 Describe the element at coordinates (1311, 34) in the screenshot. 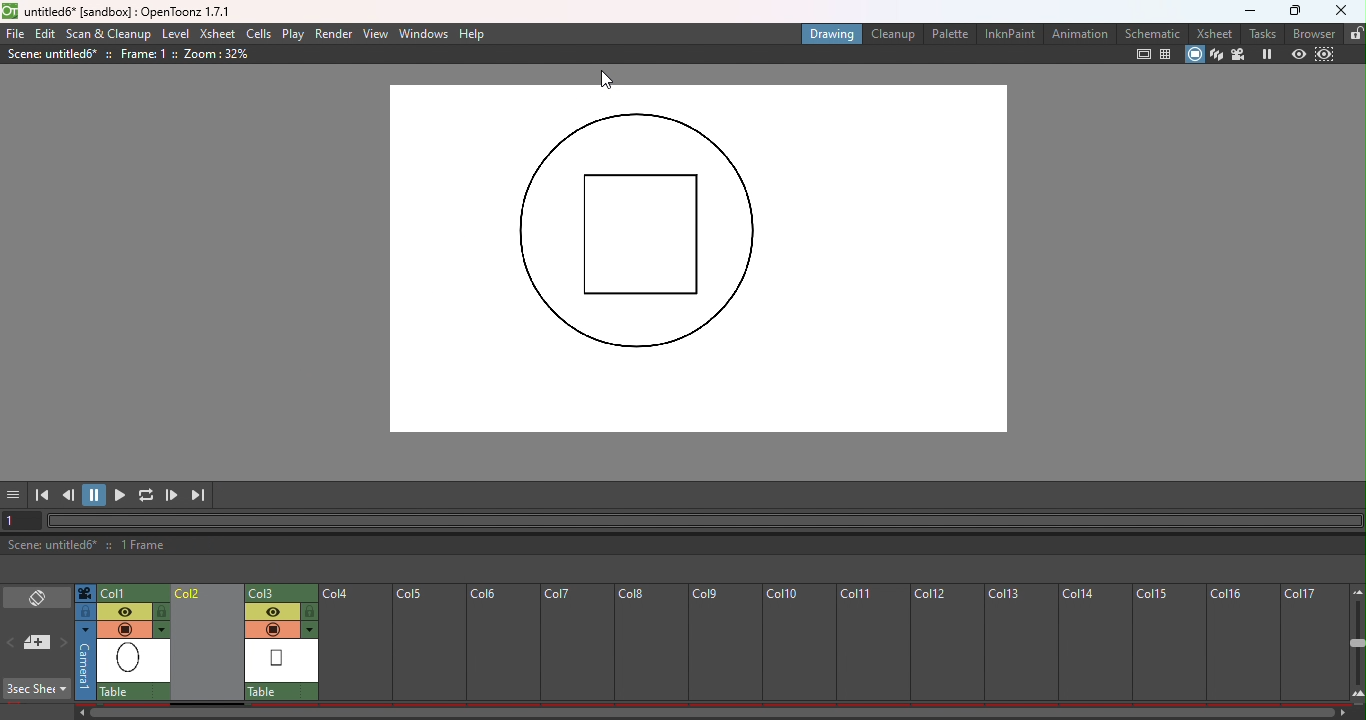

I see `Browser` at that location.